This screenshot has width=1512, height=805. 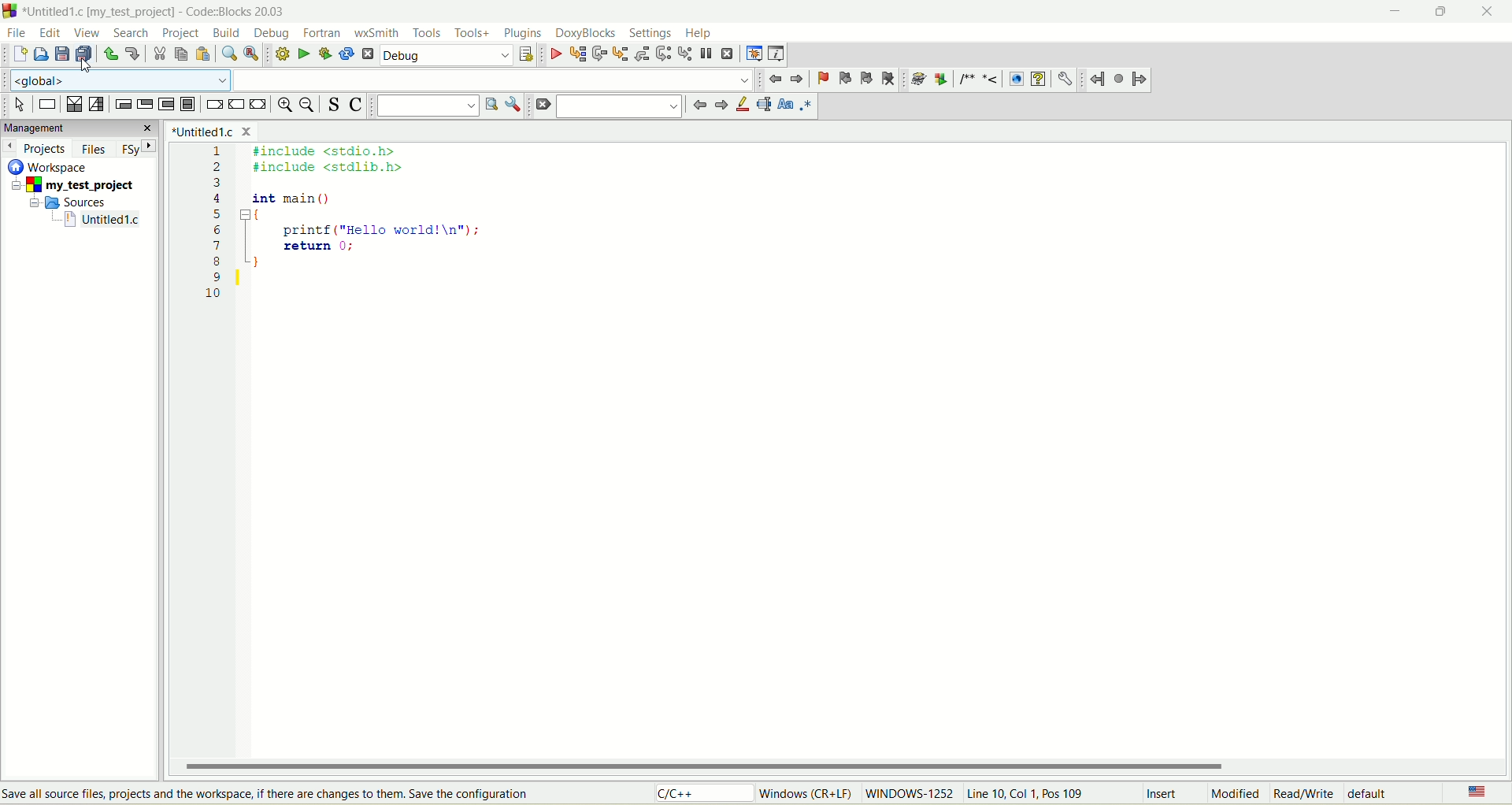 I want to click on save, so click(x=61, y=54).